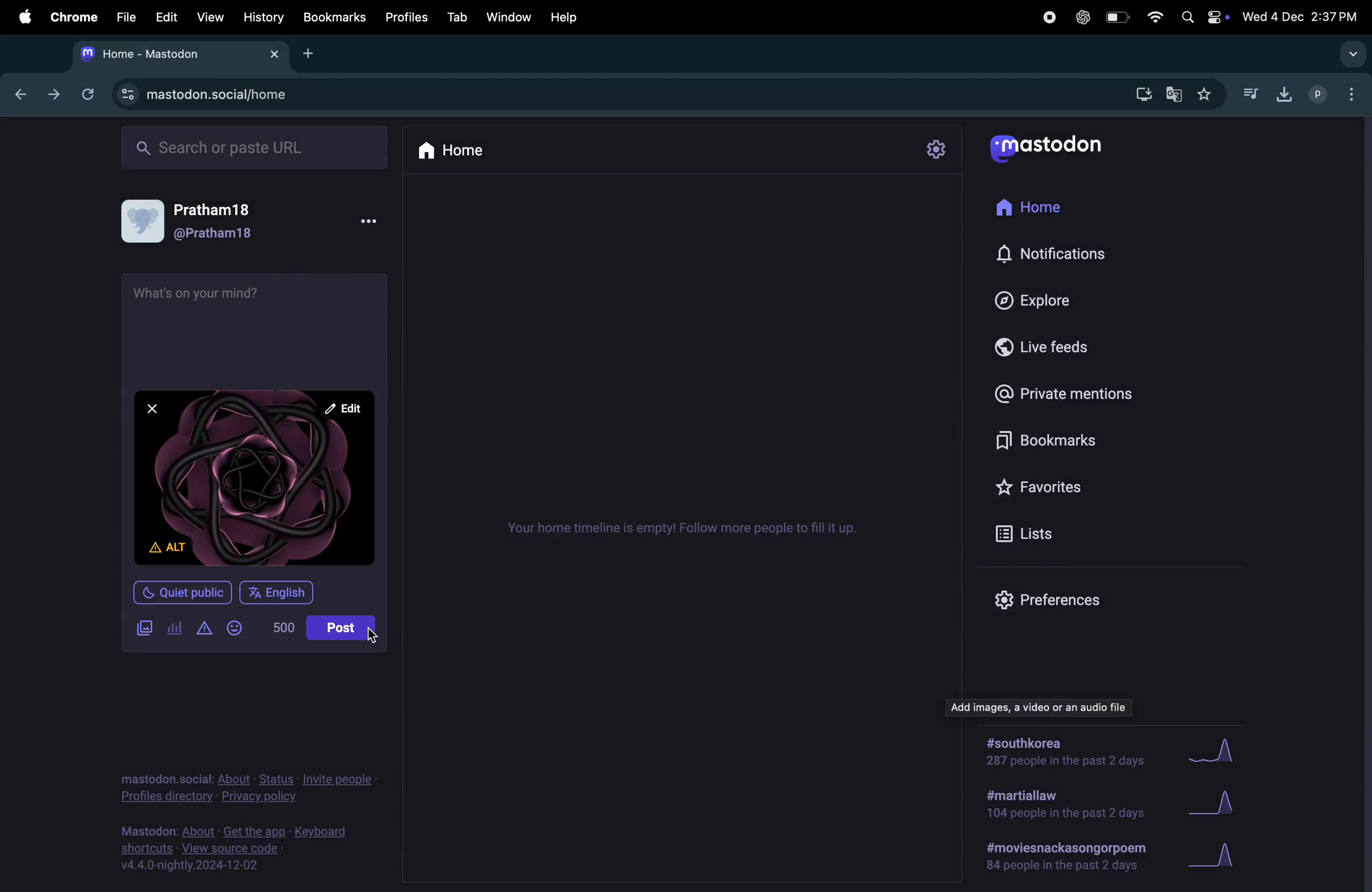  What do you see at coordinates (510, 16) in the screenshot?
I see `window` at bounding box center [510, 16].